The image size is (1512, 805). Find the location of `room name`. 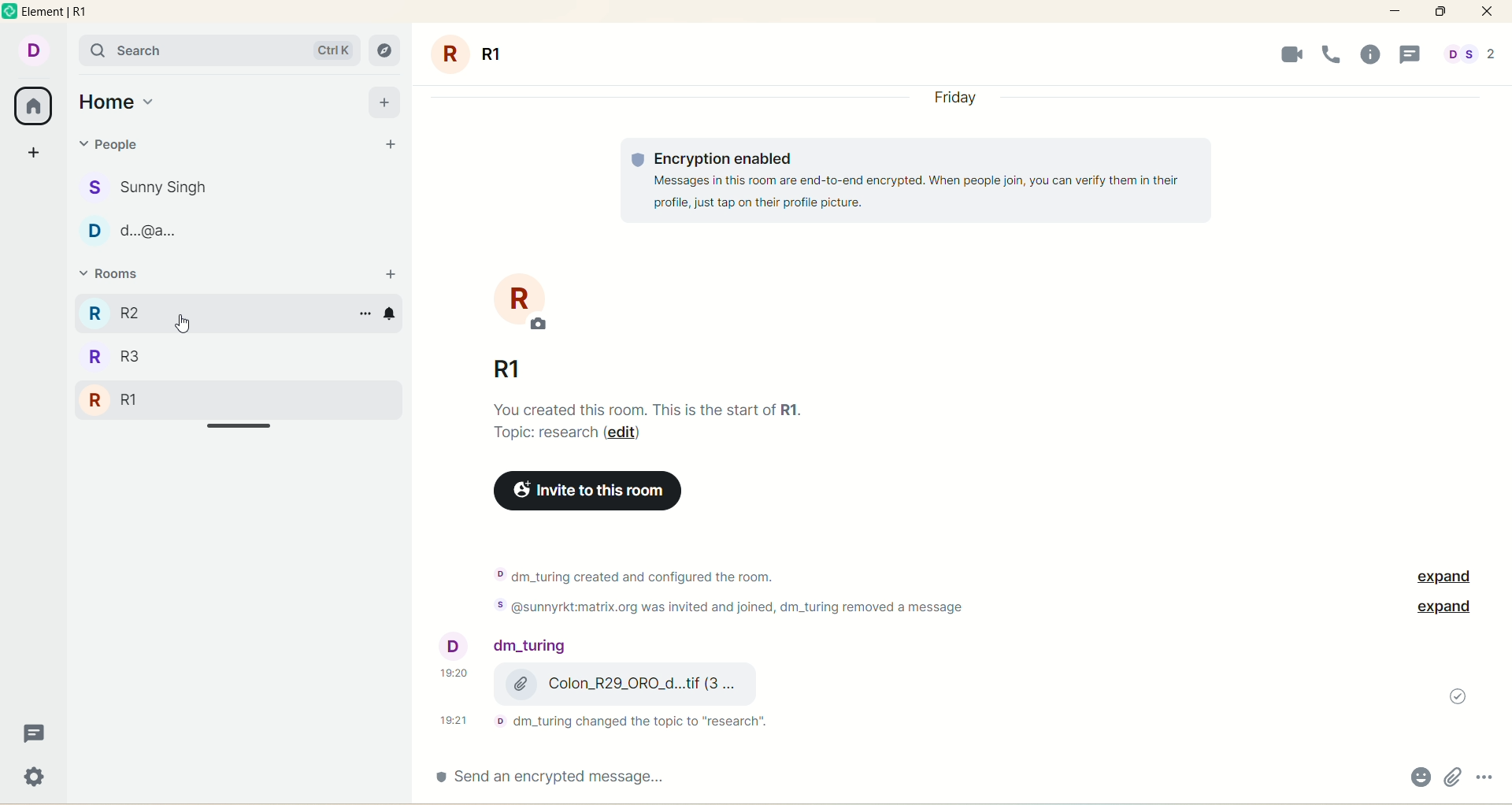

room name is located at coordinates (484, 53).